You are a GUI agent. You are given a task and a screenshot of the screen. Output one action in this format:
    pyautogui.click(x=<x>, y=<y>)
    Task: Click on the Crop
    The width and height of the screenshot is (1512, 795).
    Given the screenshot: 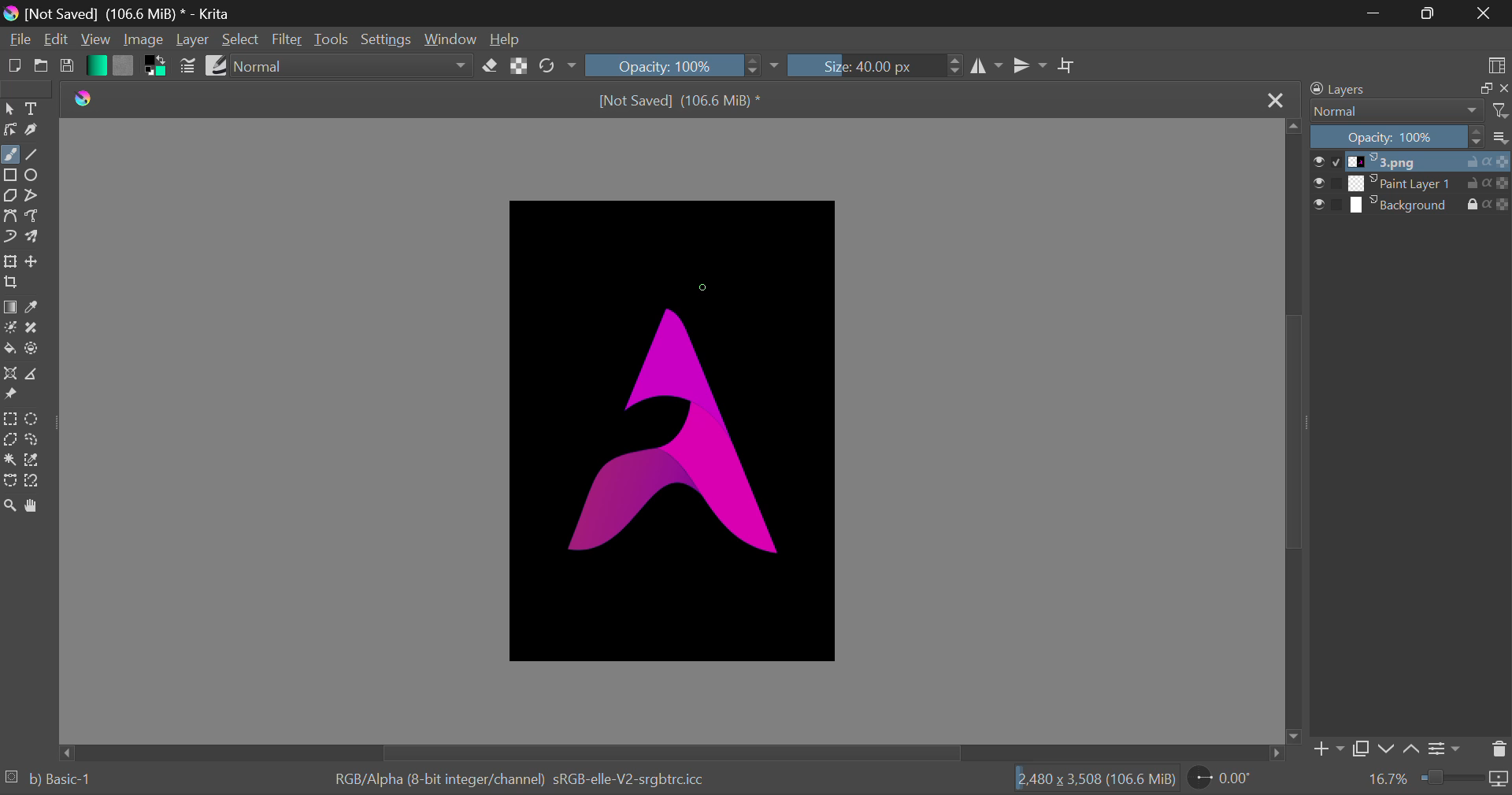 What is the action you would take?
    pyautogui.click(x=1065, y=65)
    